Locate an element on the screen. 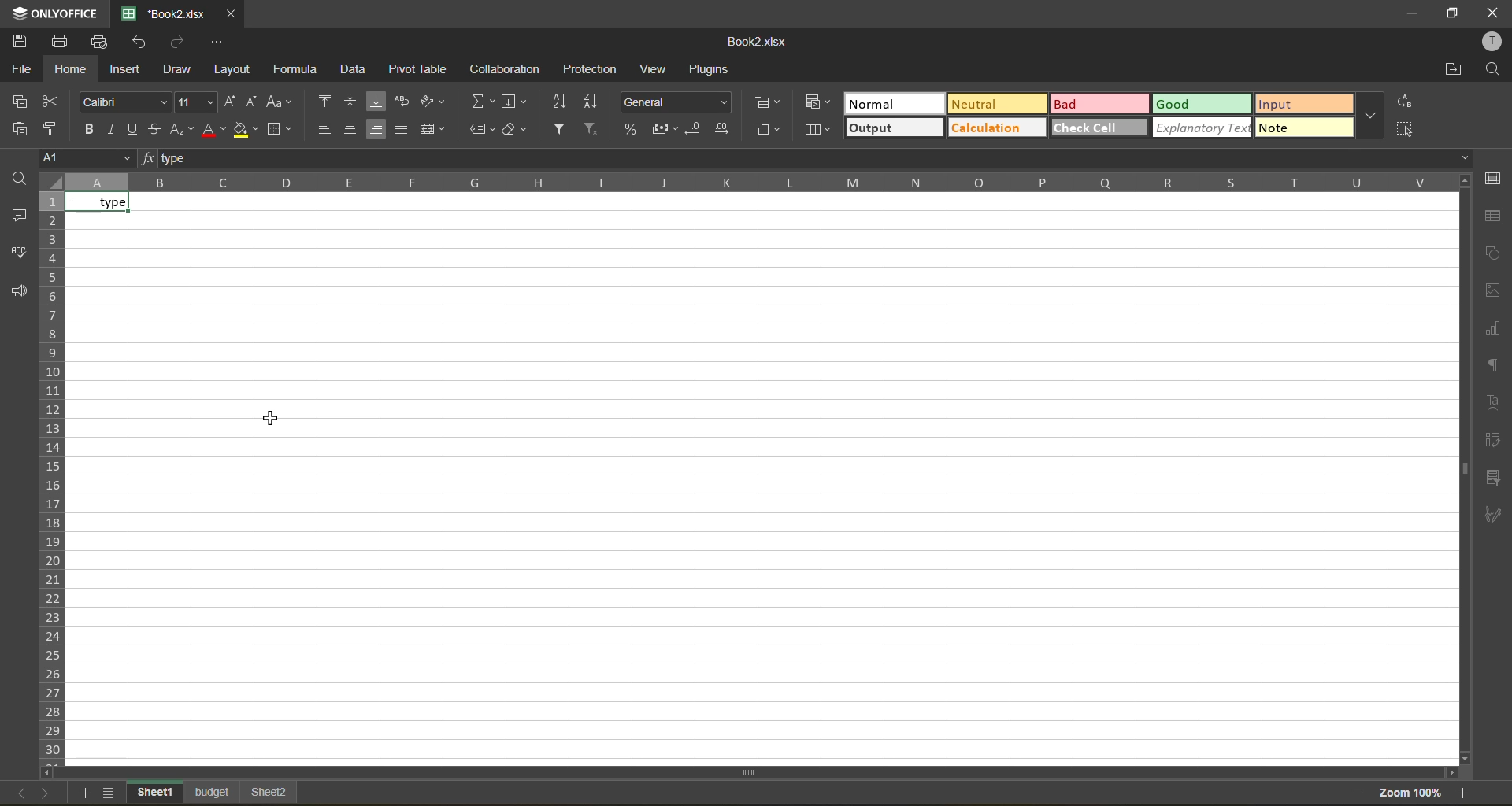 Image resolution: width=1512 pixels, height=806 pixels. Book2.xlsx is located at coordinates (758, 40).